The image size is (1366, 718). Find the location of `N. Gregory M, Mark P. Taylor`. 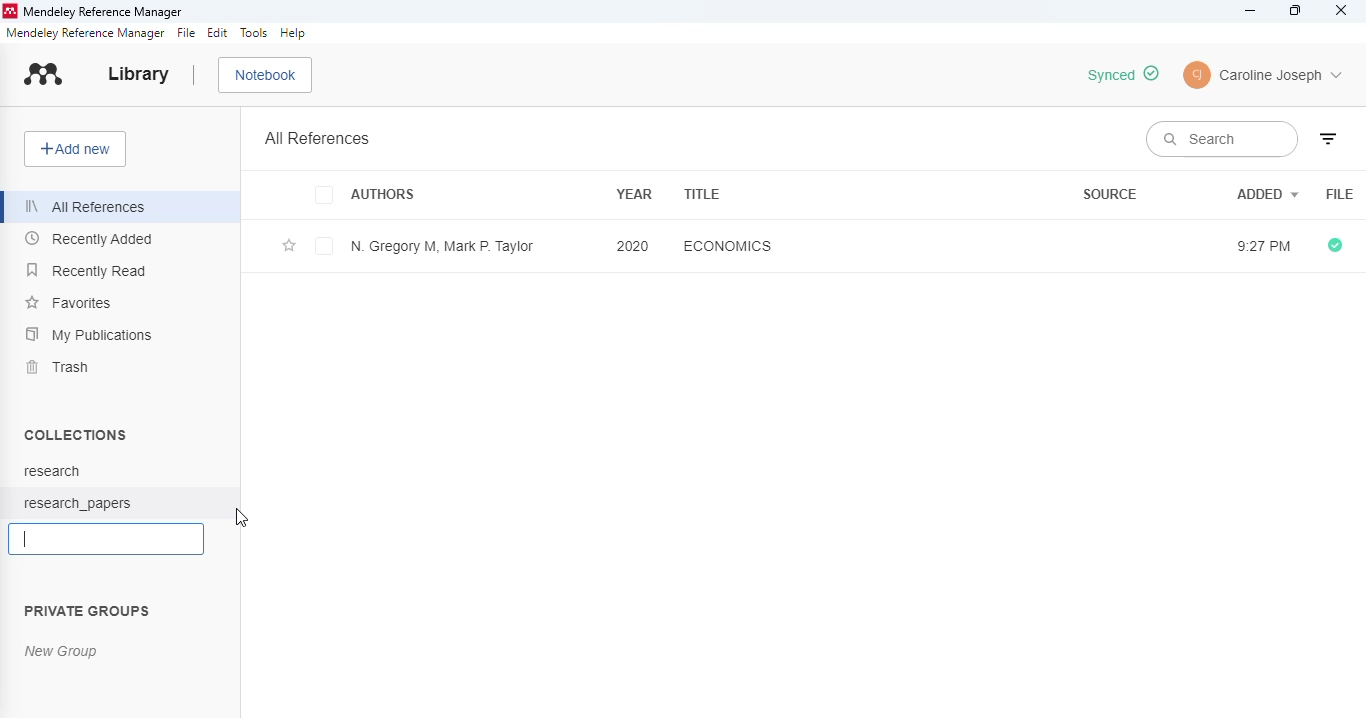

N. Gregory M, Mark P. Taylor is located at coordinates (442, 246).